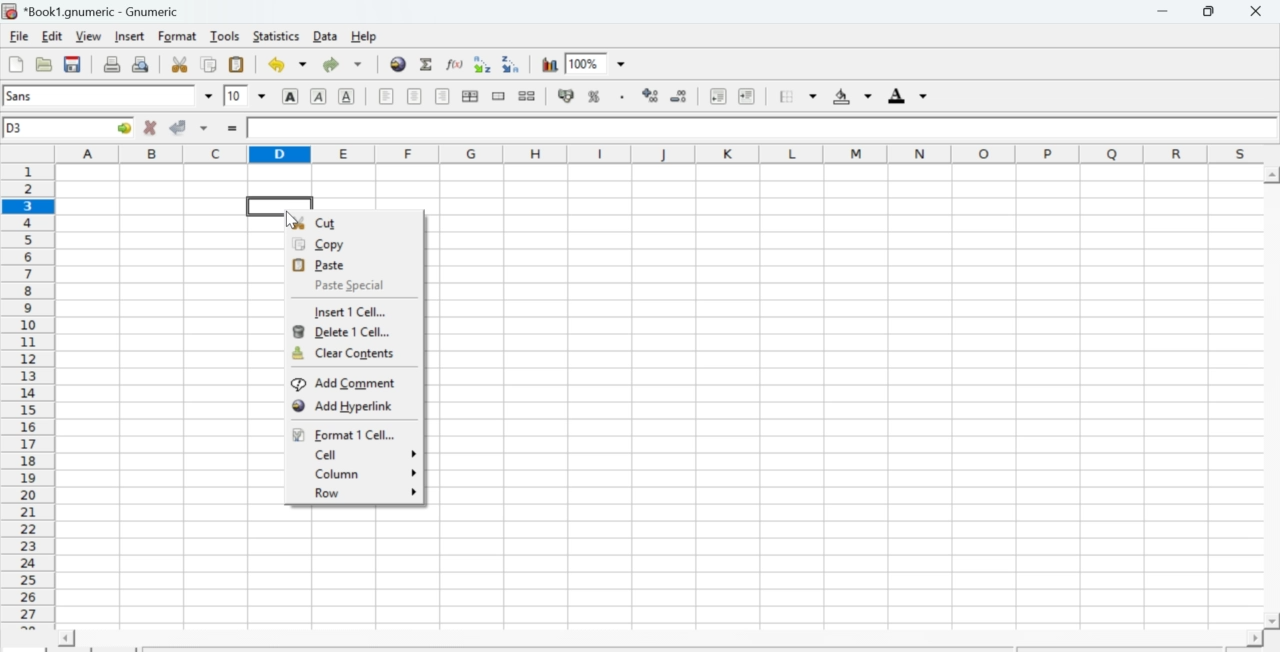 This screenshot has width=1280, height=652. Describe the element at coordinates (180, 64) in the screenshot. I see `Cut` at that location.